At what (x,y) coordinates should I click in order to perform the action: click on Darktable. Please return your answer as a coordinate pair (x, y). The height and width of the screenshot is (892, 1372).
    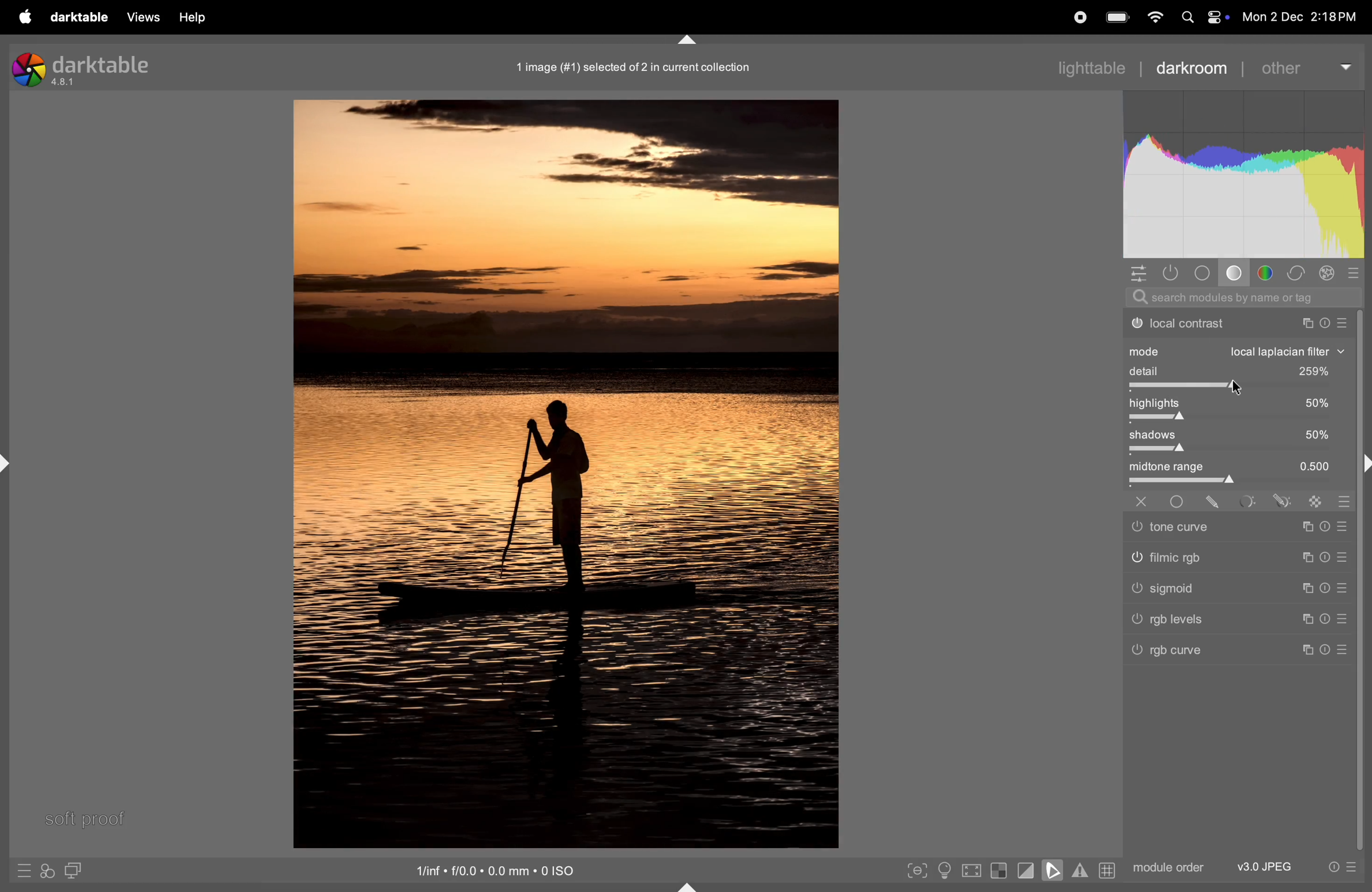
    Looking at the image, I should click on (87, 68).